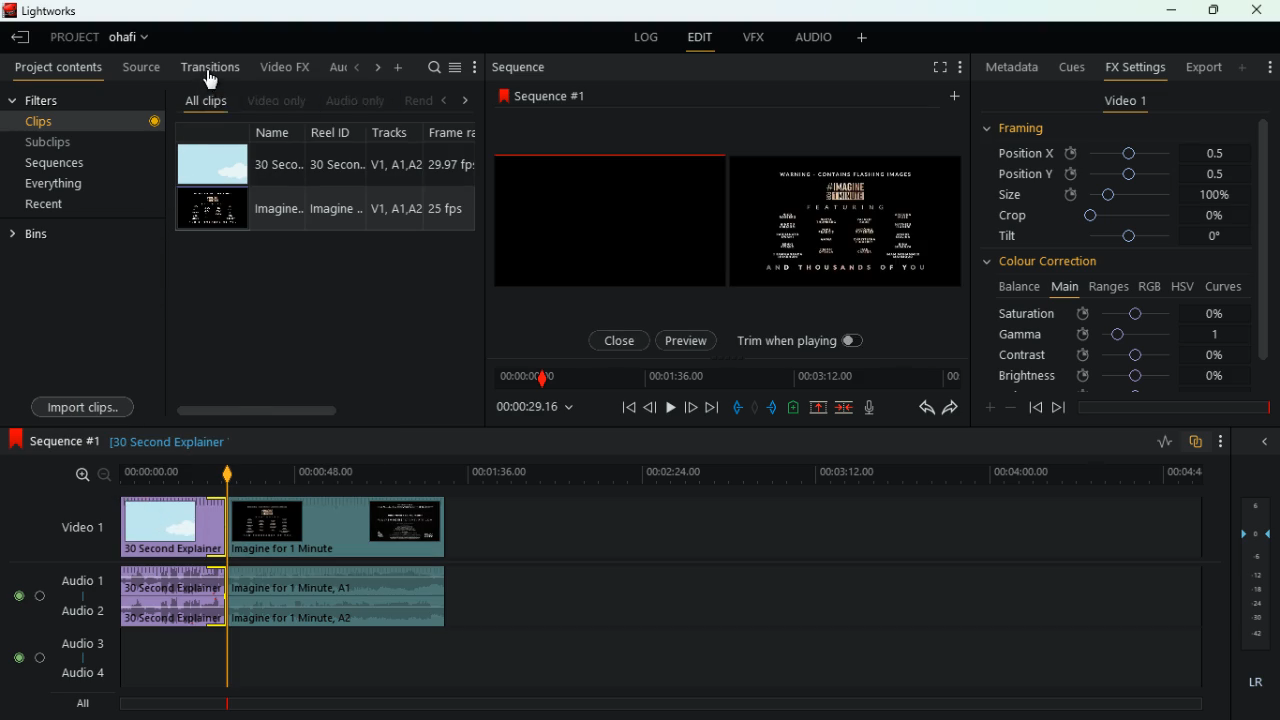  I want to click on edit, so click(699, 39).